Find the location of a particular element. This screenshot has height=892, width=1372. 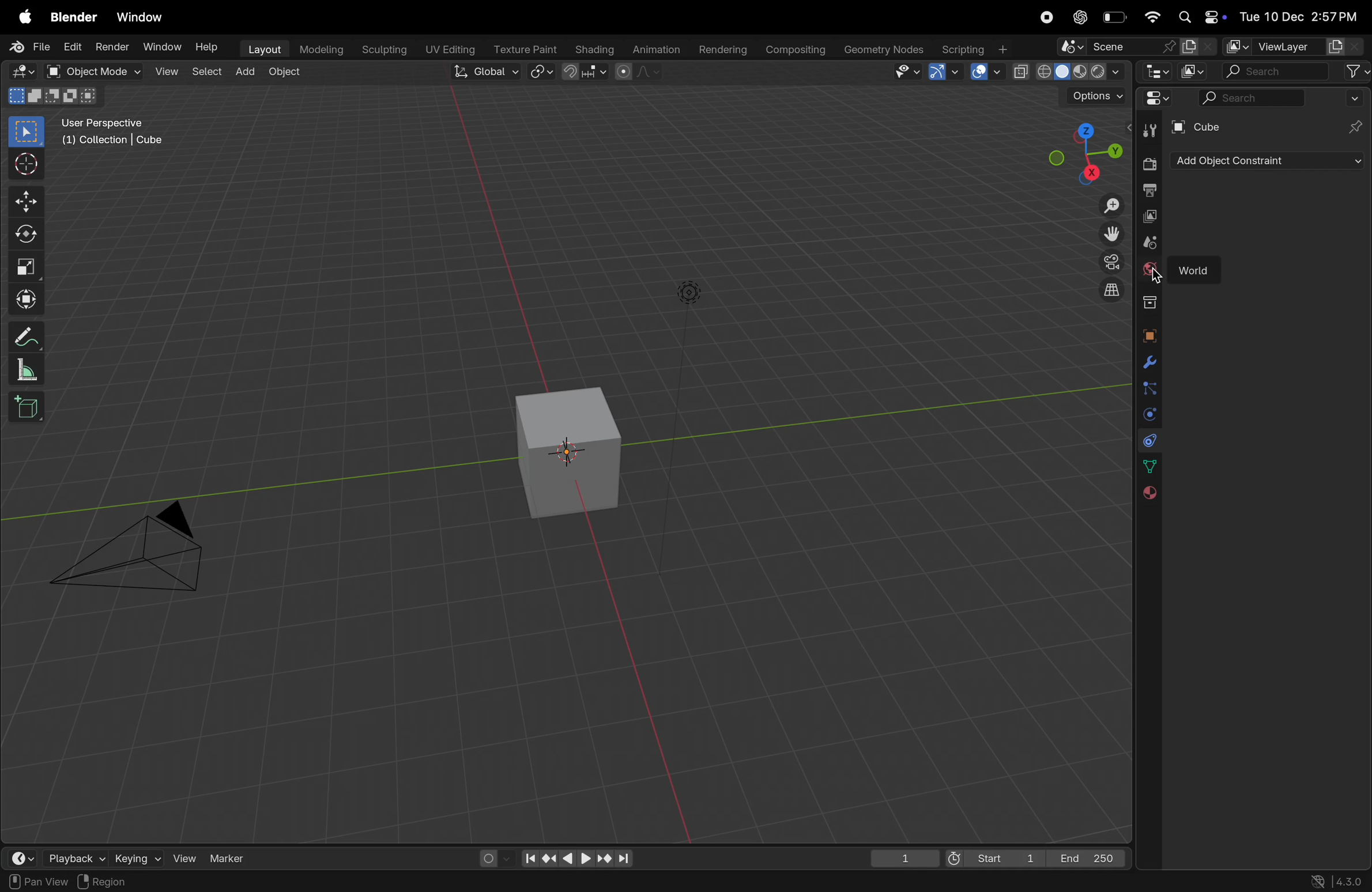

Pviot point is located at coordinates (542, 73).